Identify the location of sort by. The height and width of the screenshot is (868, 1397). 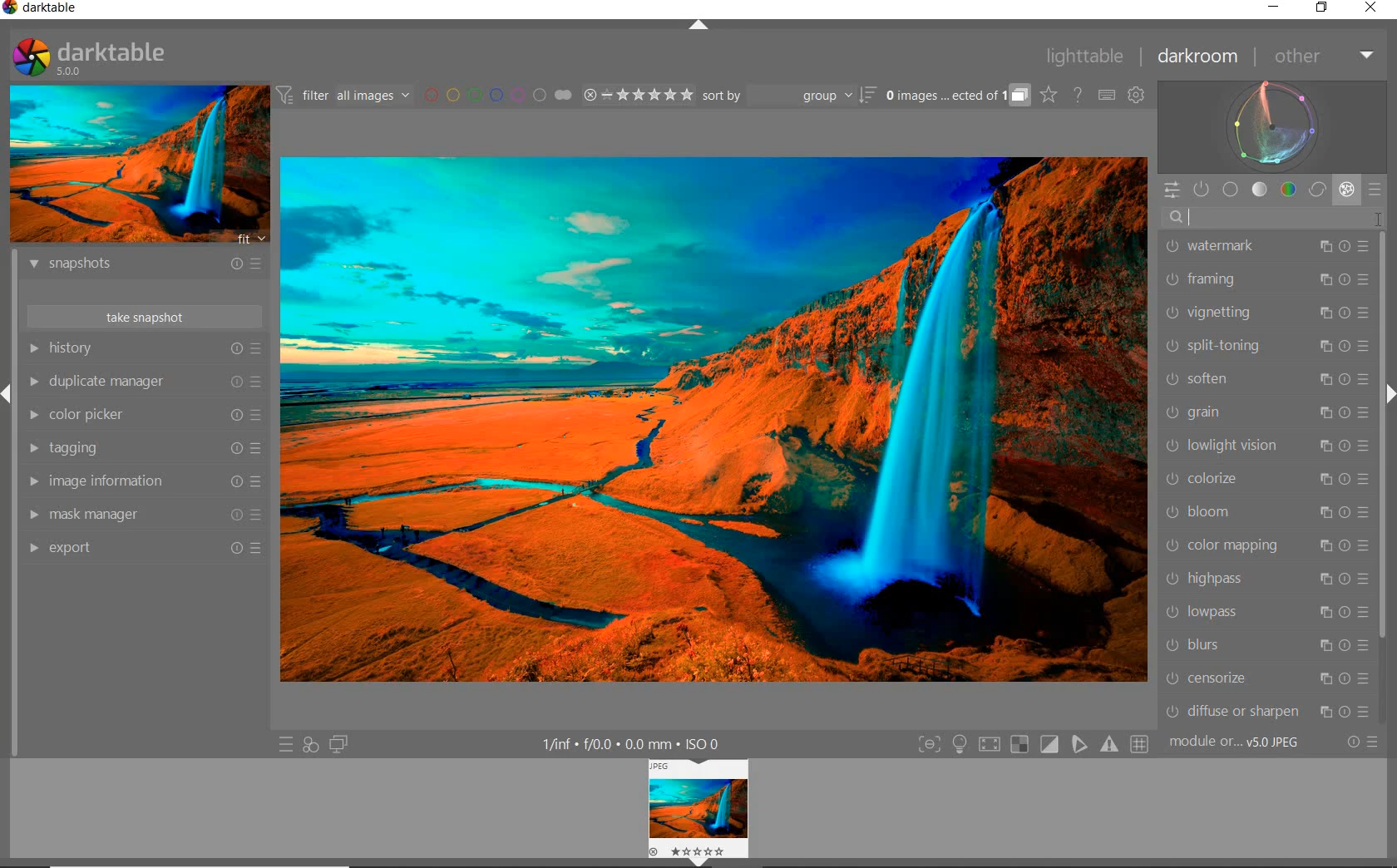
(789, 95).